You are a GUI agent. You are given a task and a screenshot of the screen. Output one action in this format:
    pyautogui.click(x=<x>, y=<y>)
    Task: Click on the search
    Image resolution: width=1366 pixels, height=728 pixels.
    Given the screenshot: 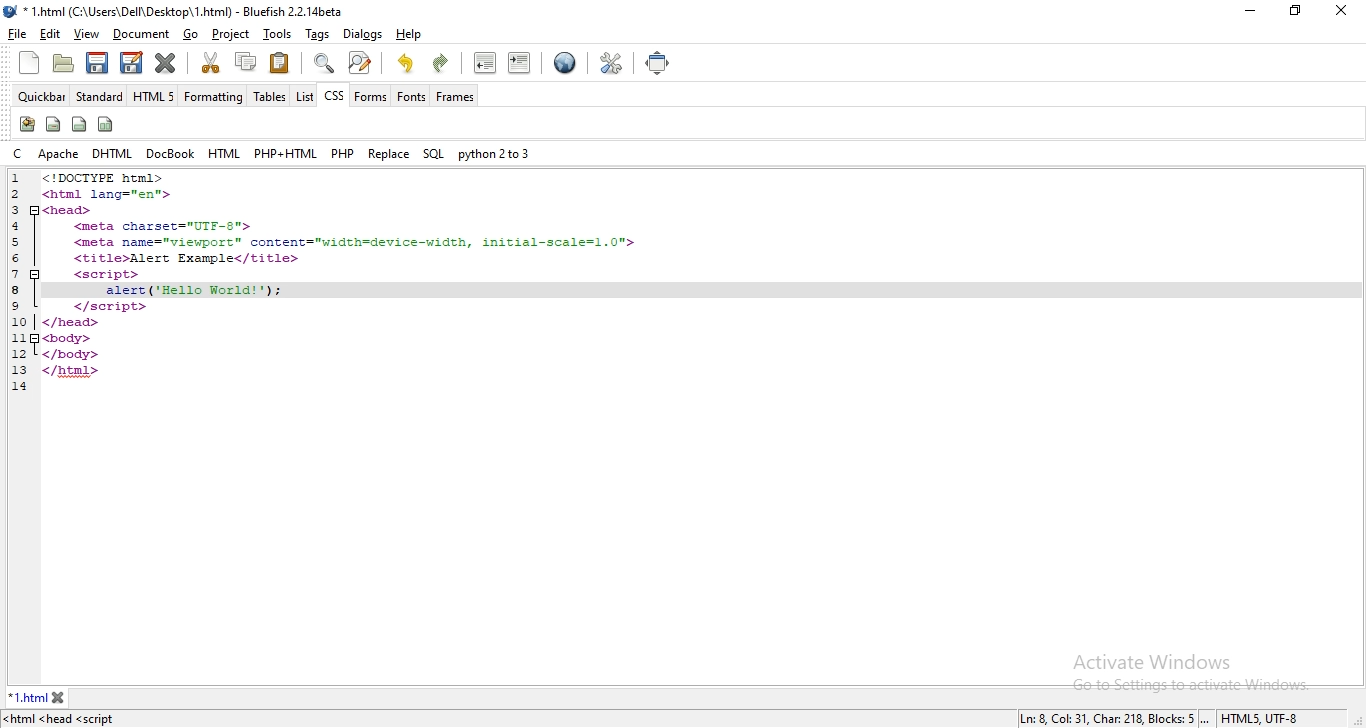 What is the action you would take?
    pyautogui.click(x=361, y=62)
    